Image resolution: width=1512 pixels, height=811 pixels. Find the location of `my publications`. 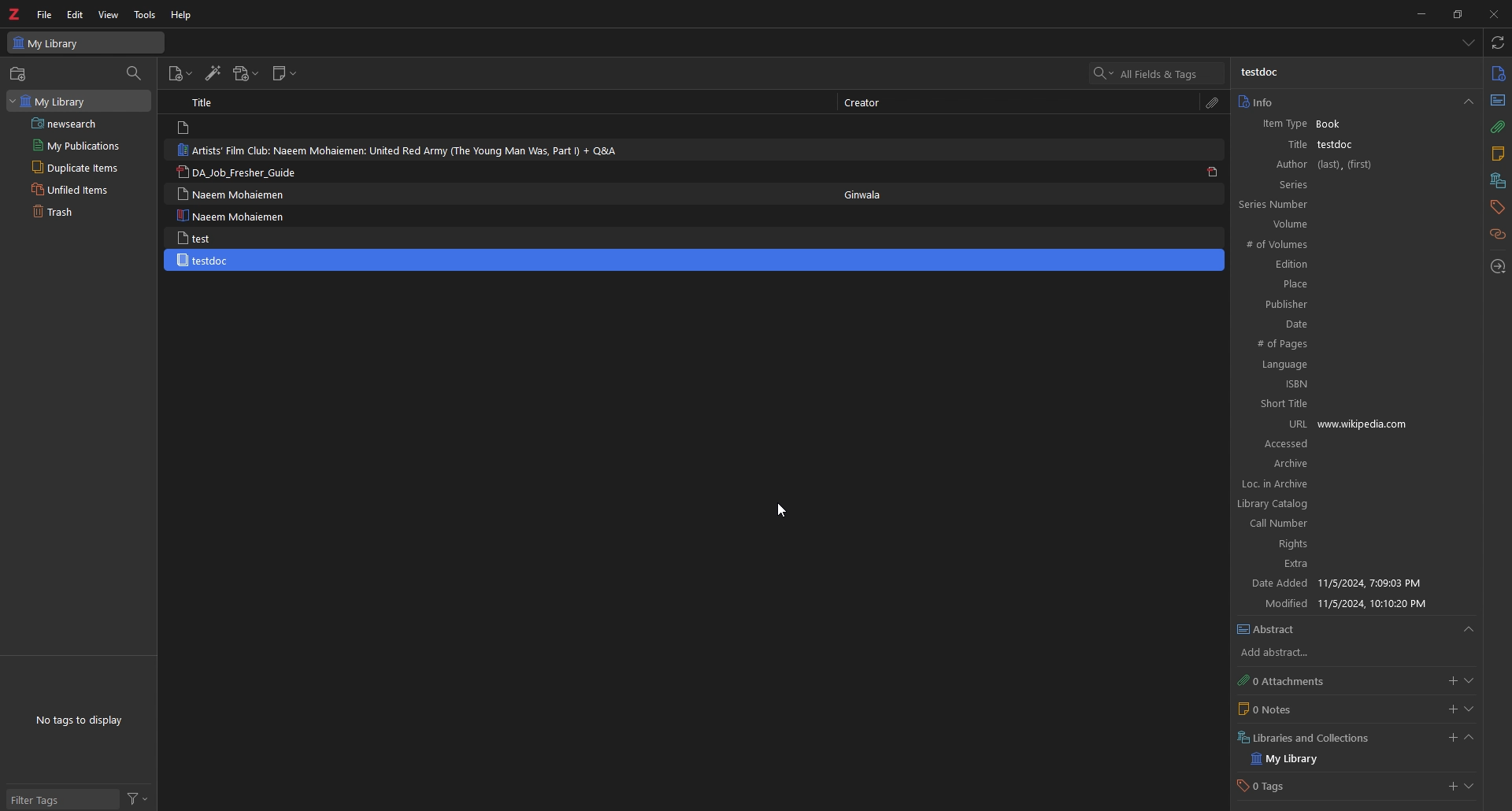

my publications is located at coordinates (76, 146).